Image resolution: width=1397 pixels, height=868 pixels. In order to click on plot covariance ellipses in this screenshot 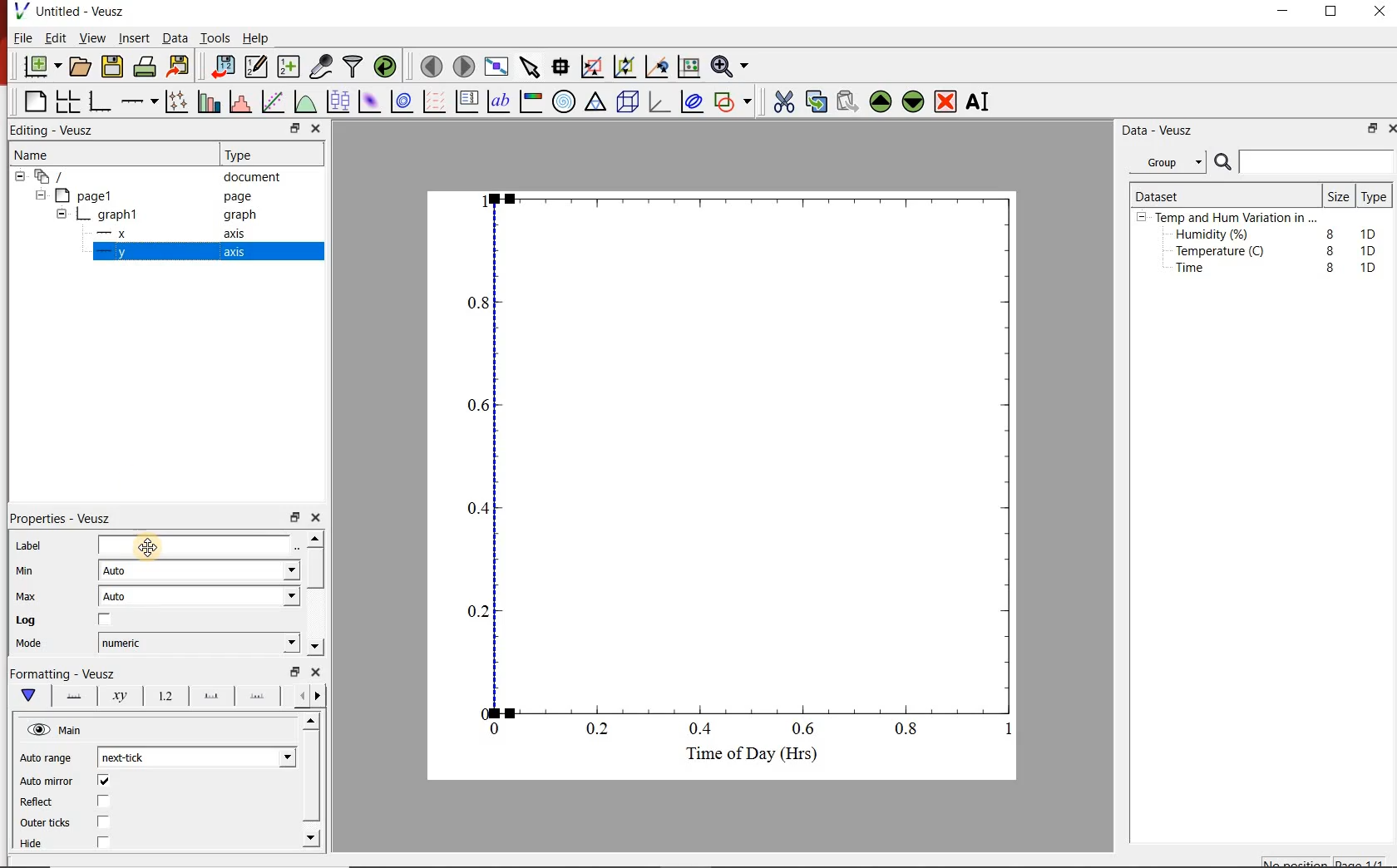, I will do `click(696, 105)`.